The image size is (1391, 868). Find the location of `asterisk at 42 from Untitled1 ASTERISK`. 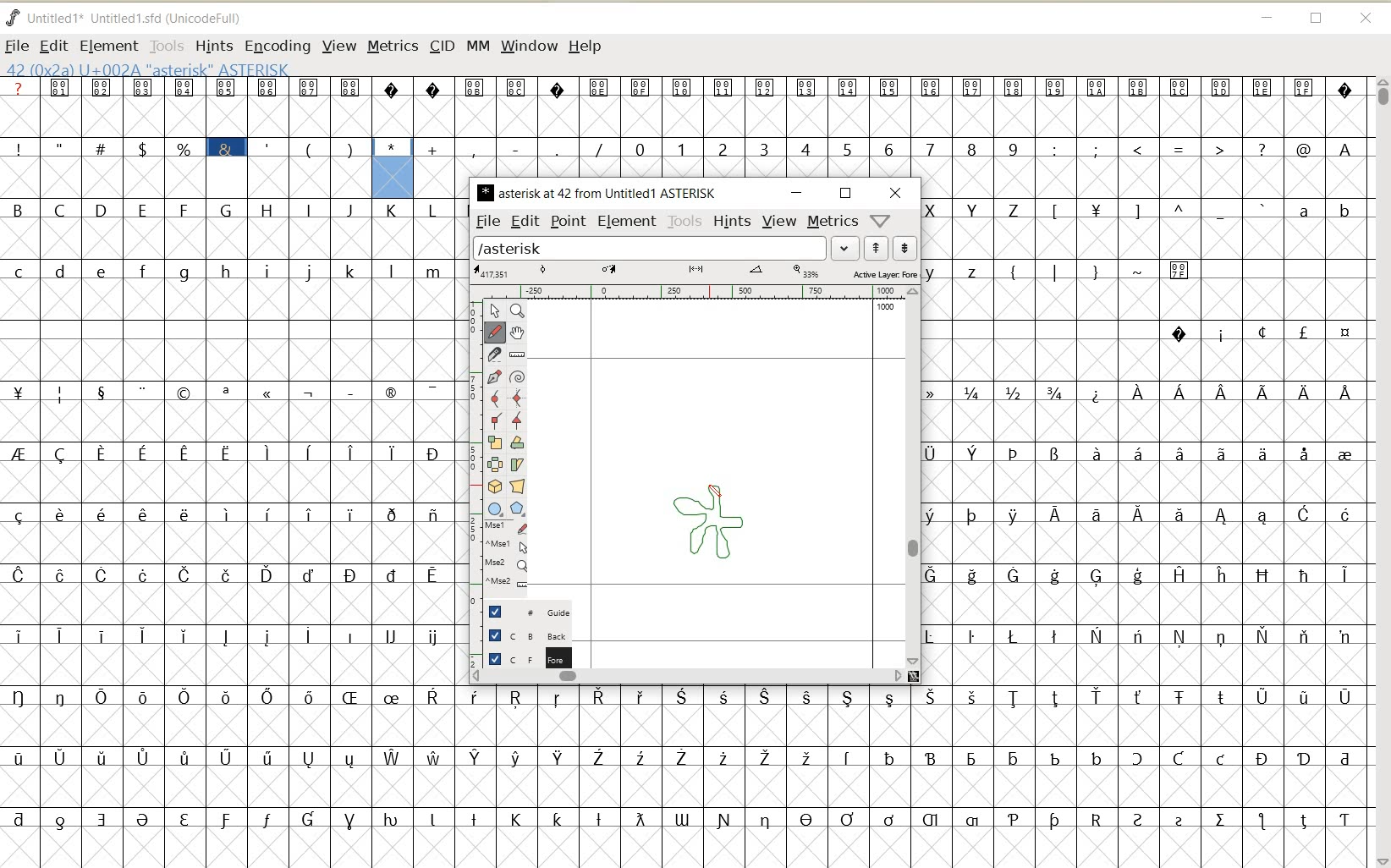

asterisk at 42 from Untitled1 ASTERISK is located at coordinates (600, 192).